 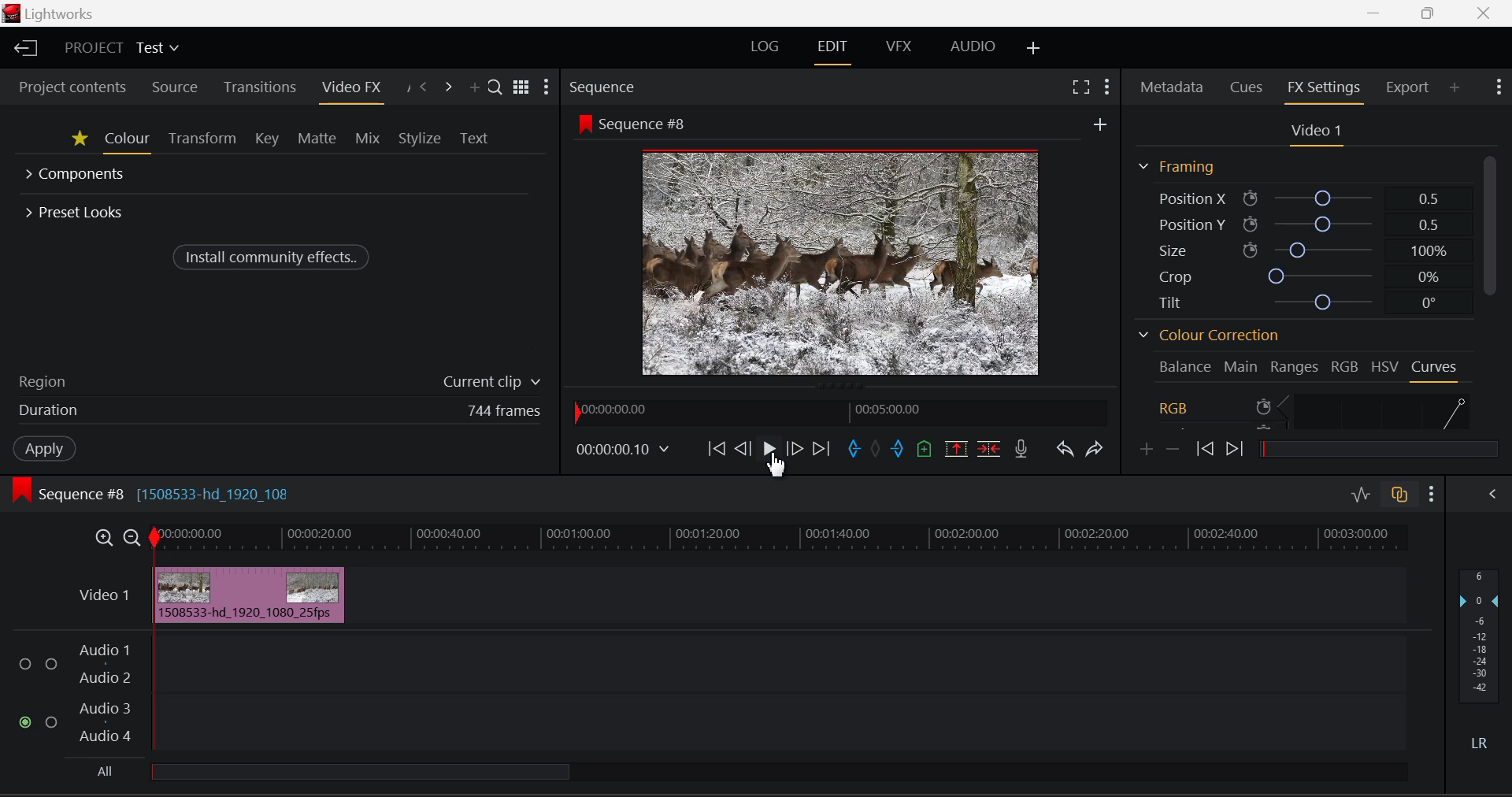 What do you see at coordinates (825, 449) in the screenshot?
I see `To End` at bounding box center [825, 449].